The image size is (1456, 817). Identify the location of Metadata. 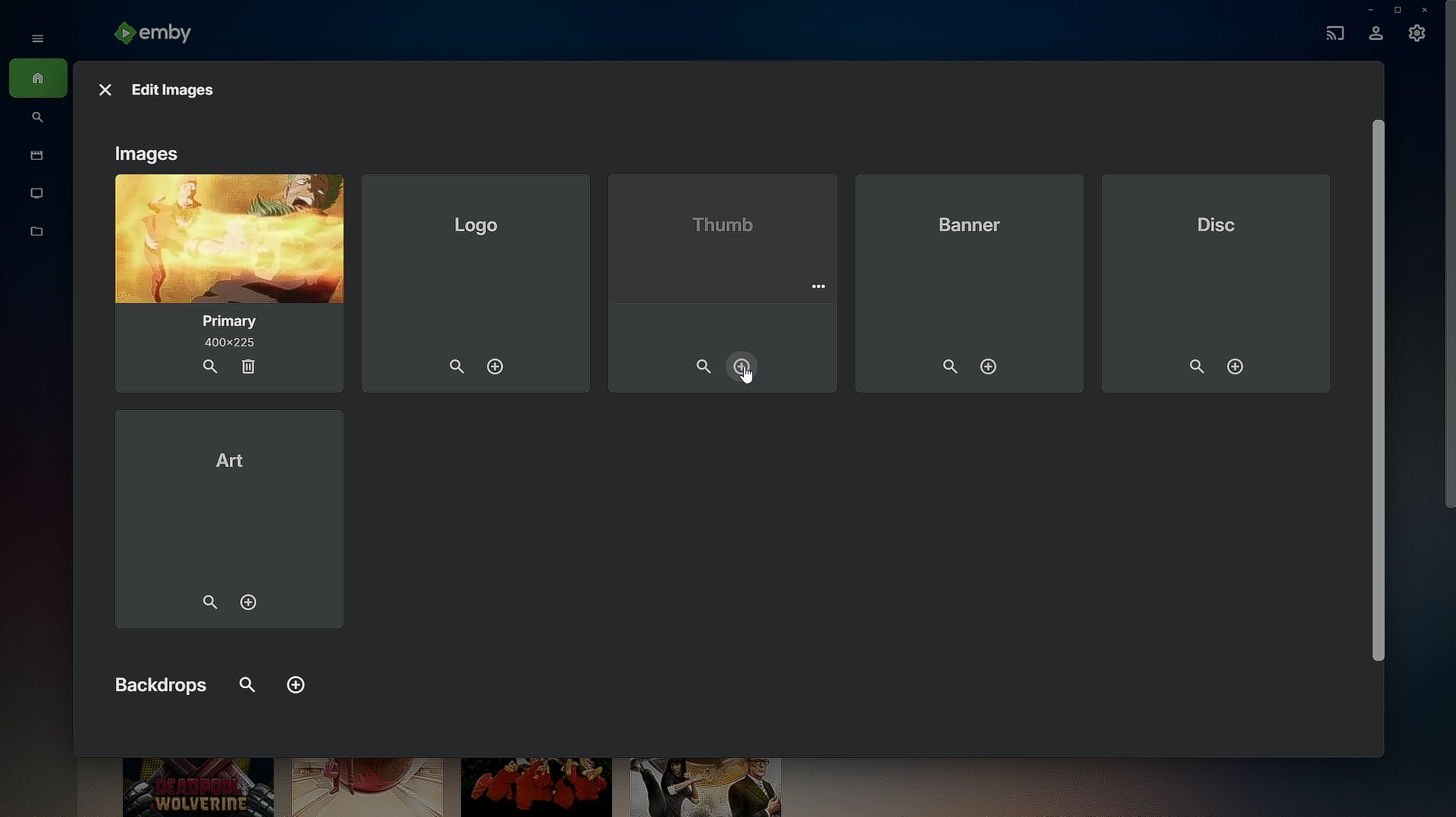
(38, 239).